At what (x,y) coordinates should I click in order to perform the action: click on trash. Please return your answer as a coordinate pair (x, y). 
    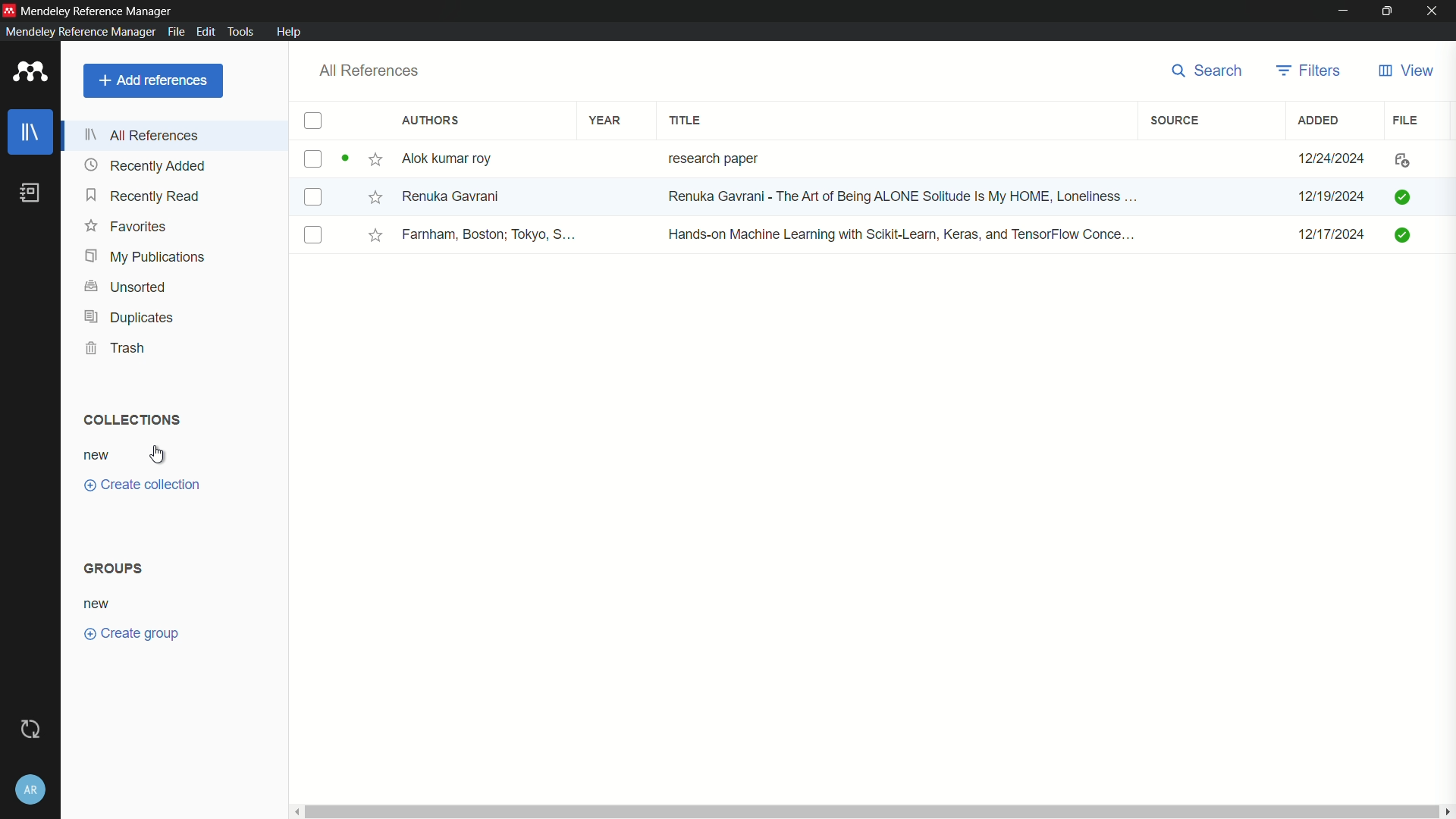
    Looking at the image, I should click on (115, 347).